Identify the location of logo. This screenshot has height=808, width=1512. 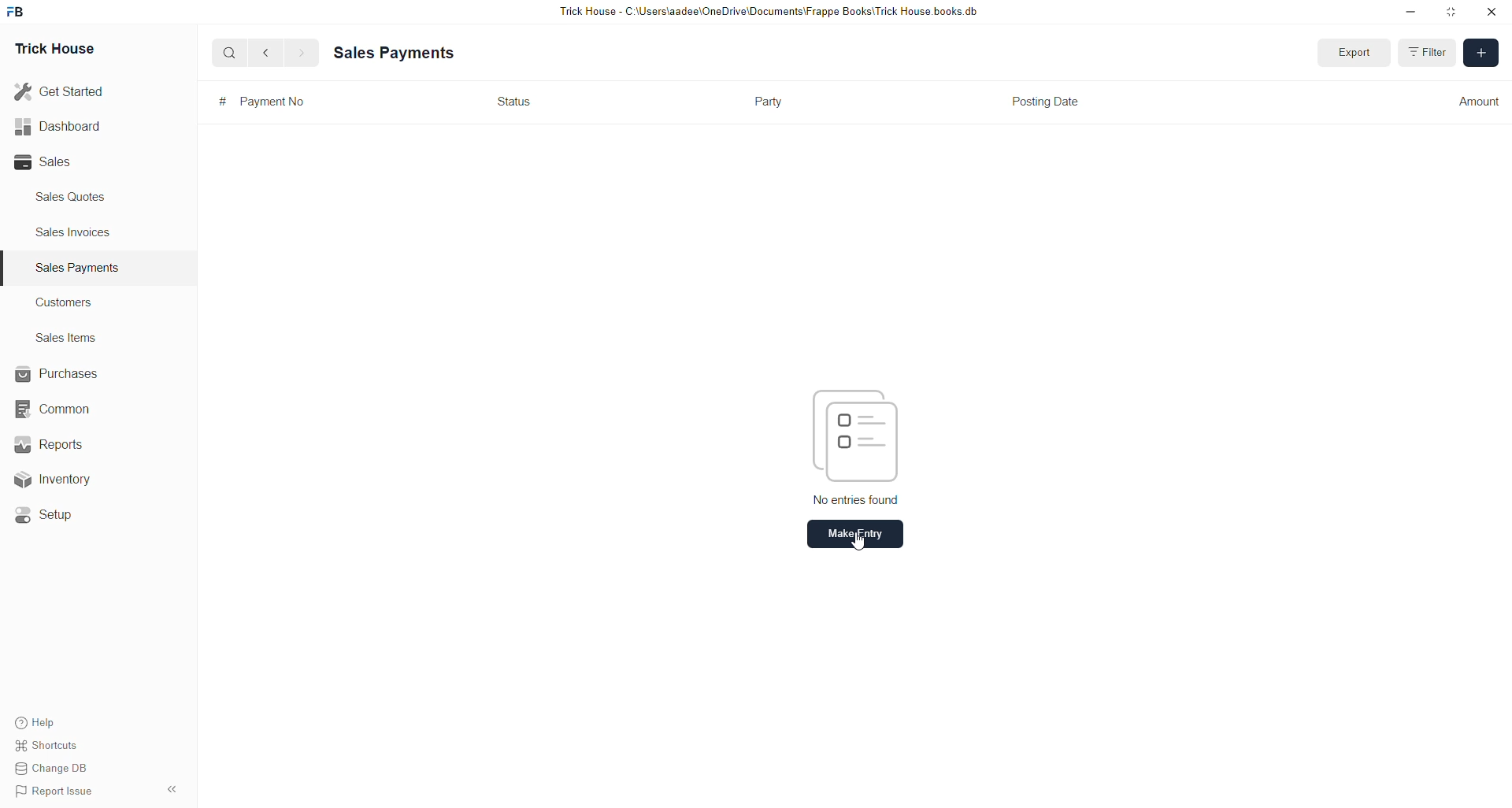
(17, 12).